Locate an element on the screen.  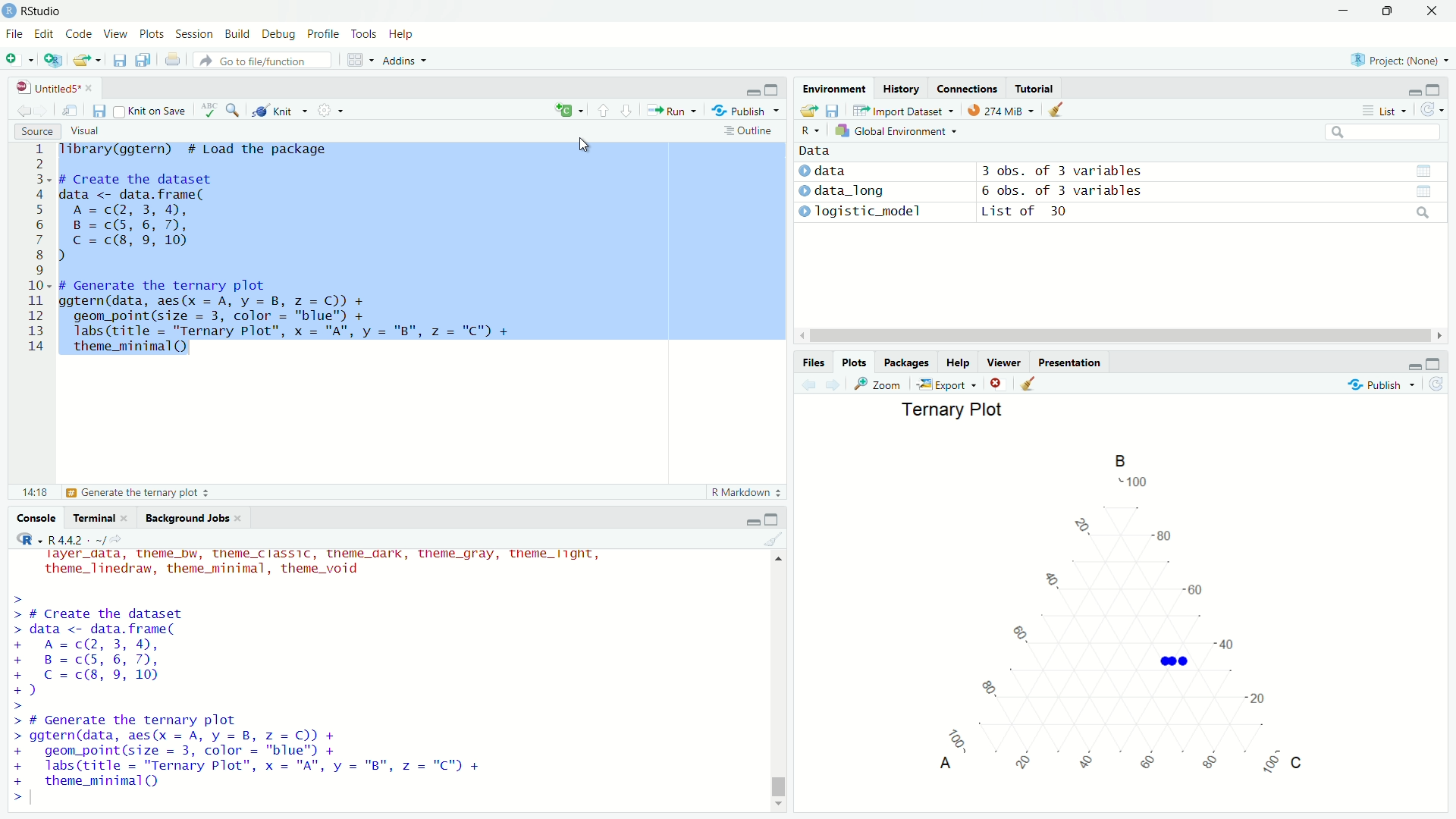
save is located at coordinates (99, 111).